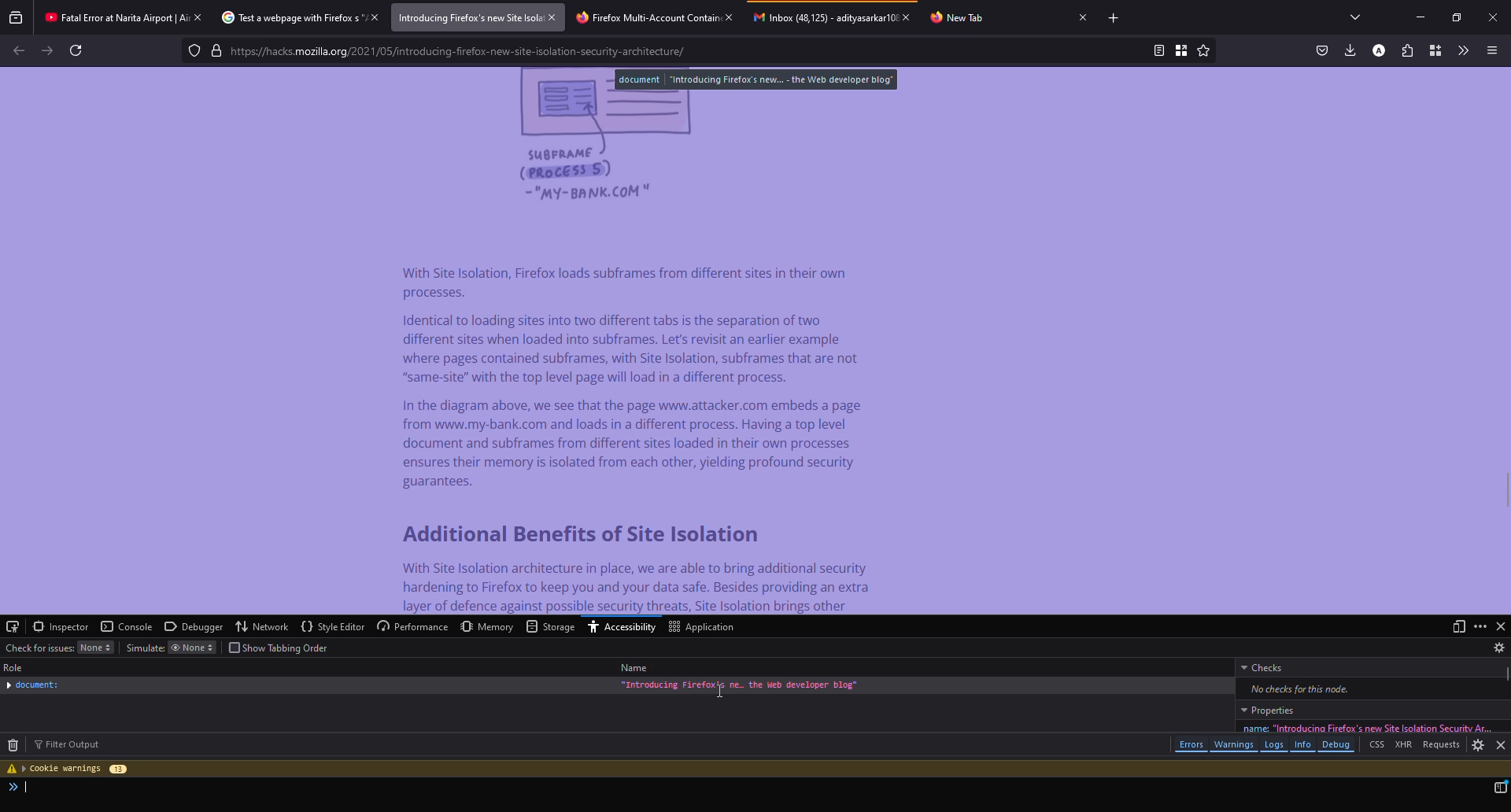  Describe the element at coordinates (1266, 710) in the screenshot. I see `properties` at that location.